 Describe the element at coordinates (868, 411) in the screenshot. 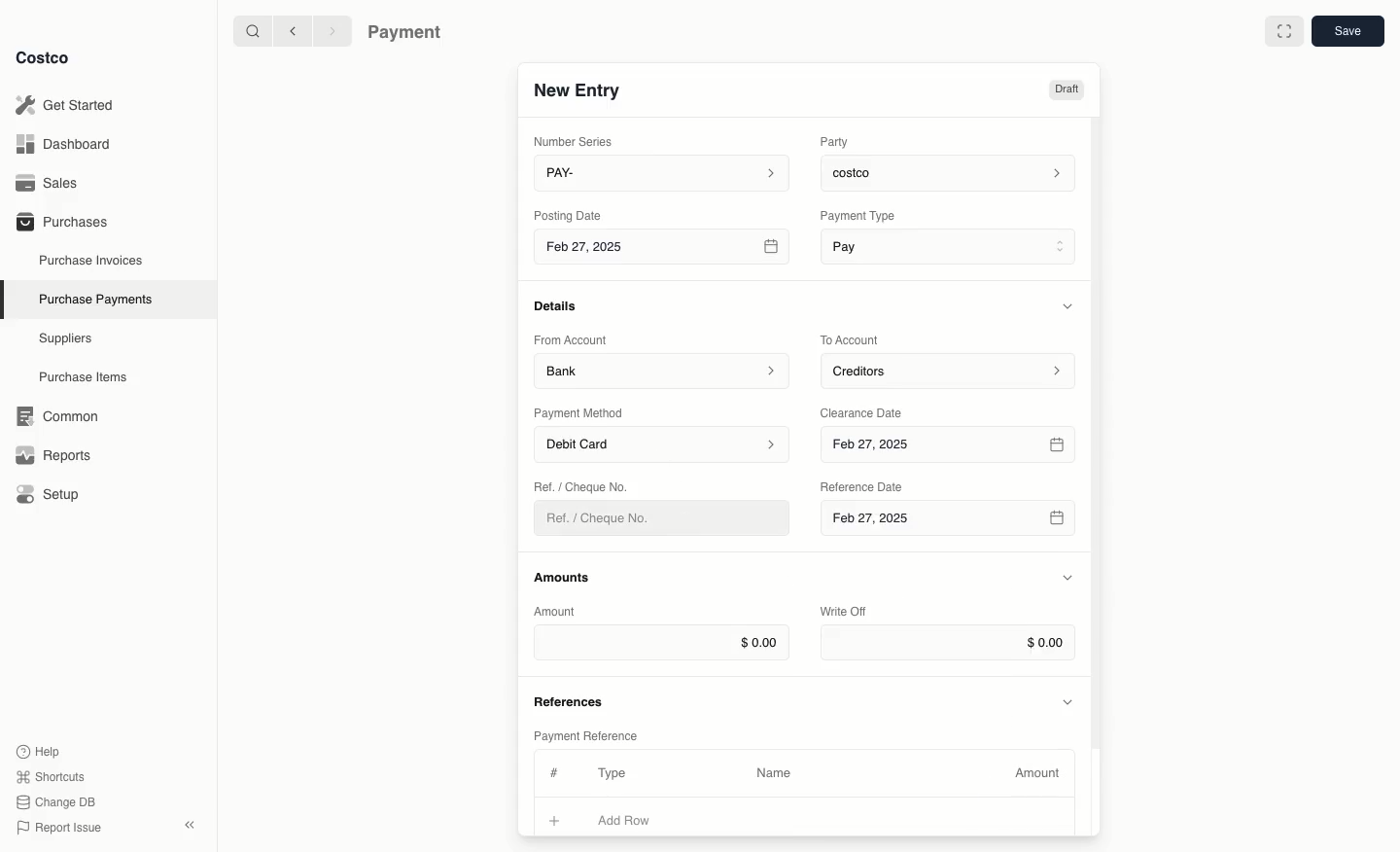

I see `Clearance Date` at that location.